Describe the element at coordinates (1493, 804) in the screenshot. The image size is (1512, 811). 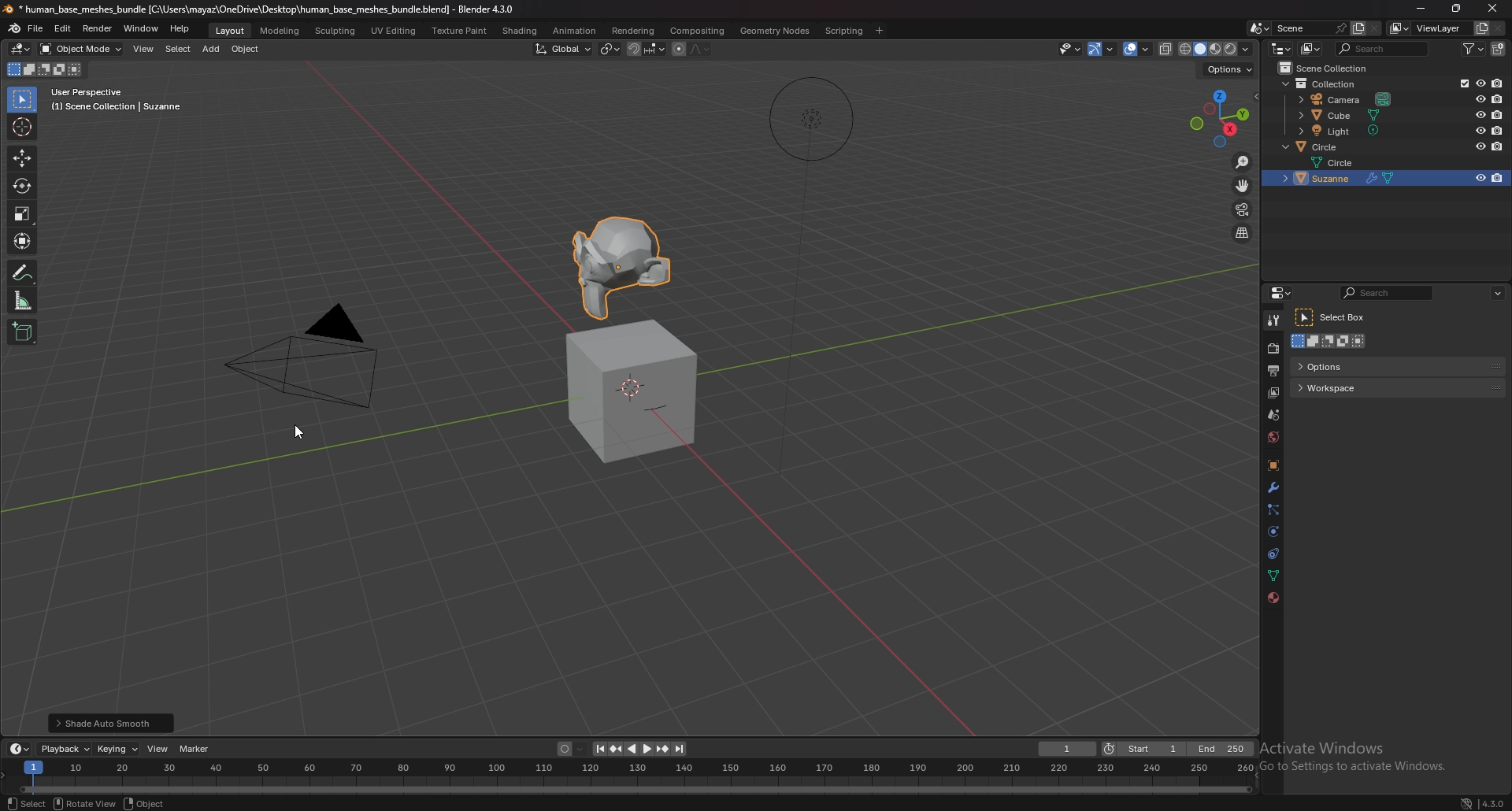
I see `version` at that location.